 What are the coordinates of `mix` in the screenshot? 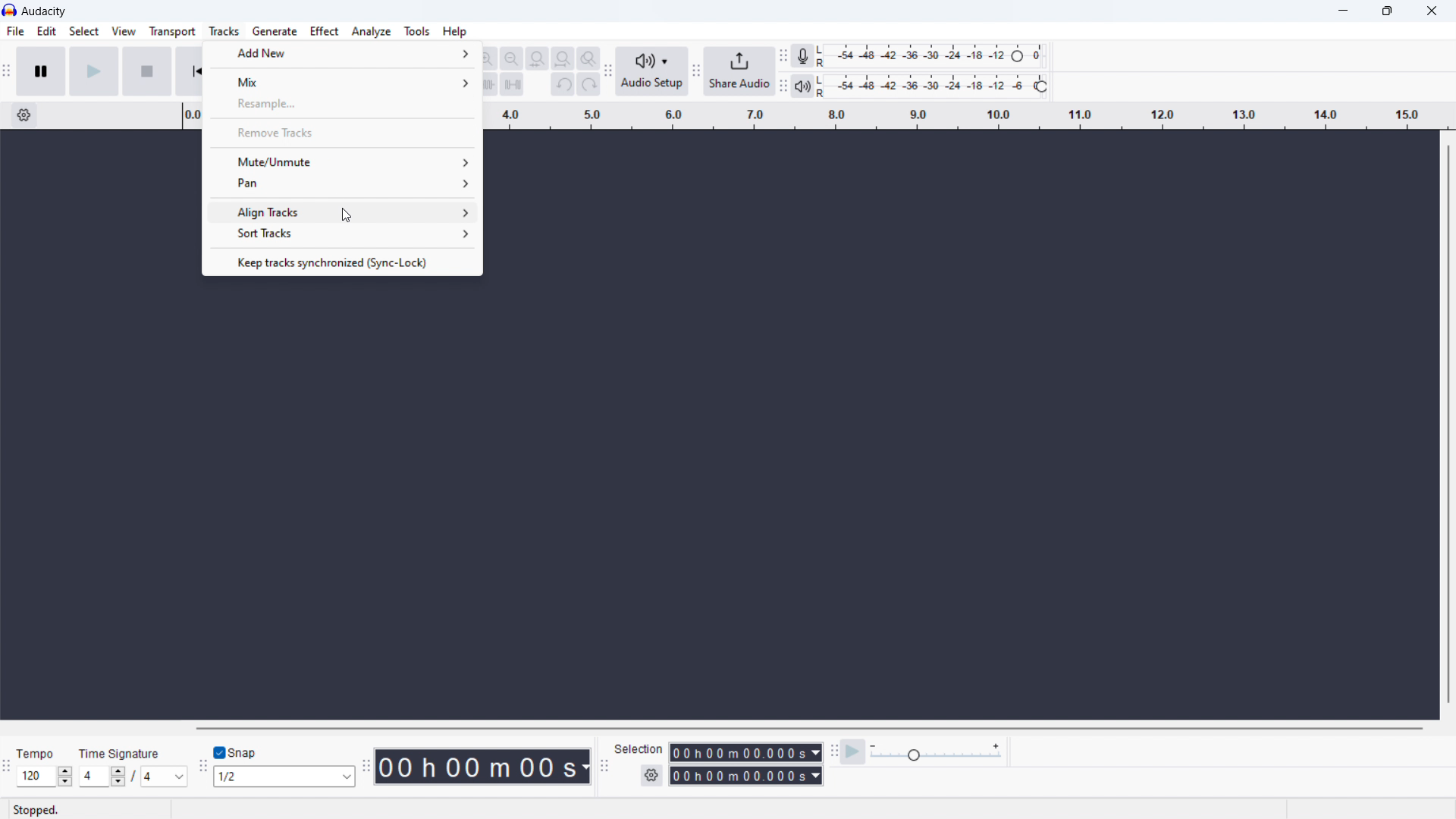 It's located at (340, 80).